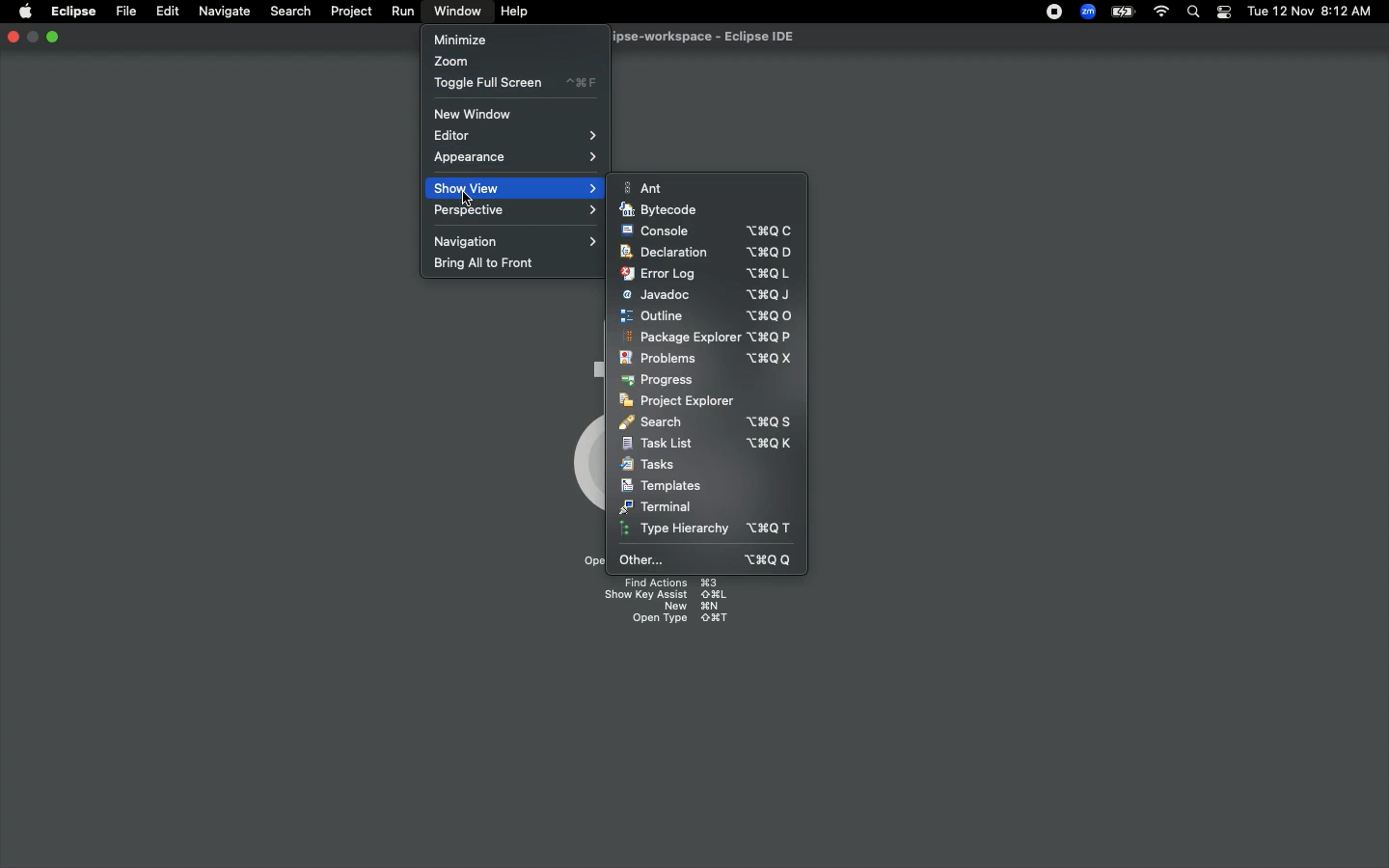 This screenshot has width=1389, height=868. What do you see at coordinates (709, 529) in the screenshot?
I see `Type hierarchy` at bounding box center [709, 529].